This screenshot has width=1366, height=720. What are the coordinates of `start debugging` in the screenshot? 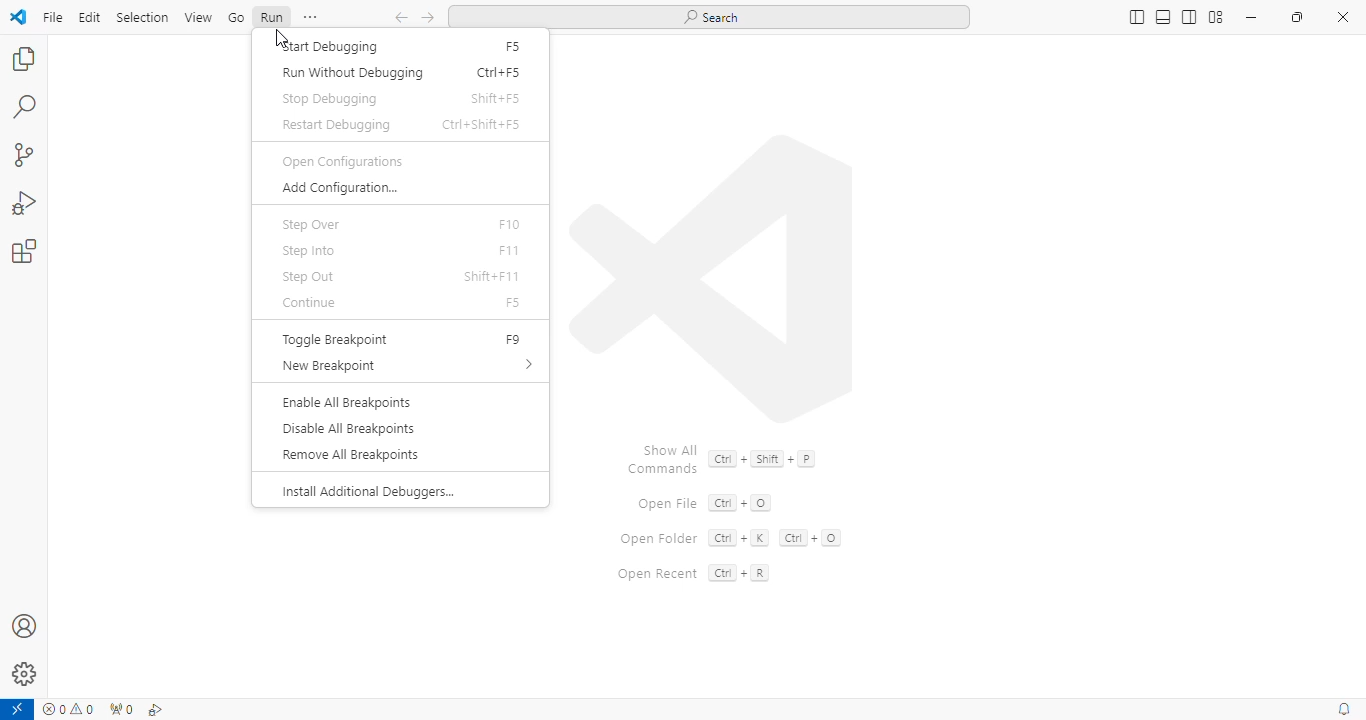 It's located at (328, 47).